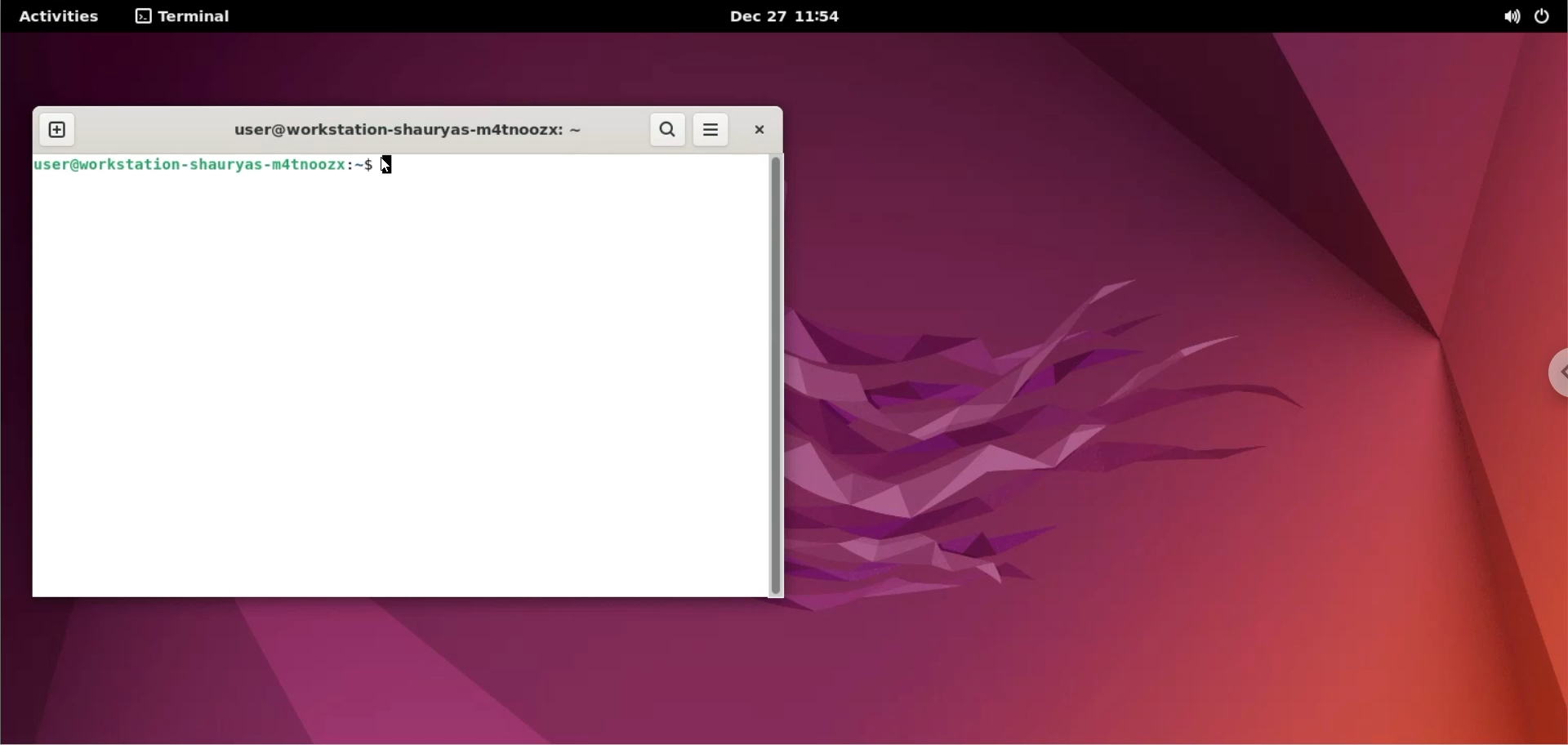  Describe the element at coordinates (760, 129) in the screenshot. I see `close` at that location.